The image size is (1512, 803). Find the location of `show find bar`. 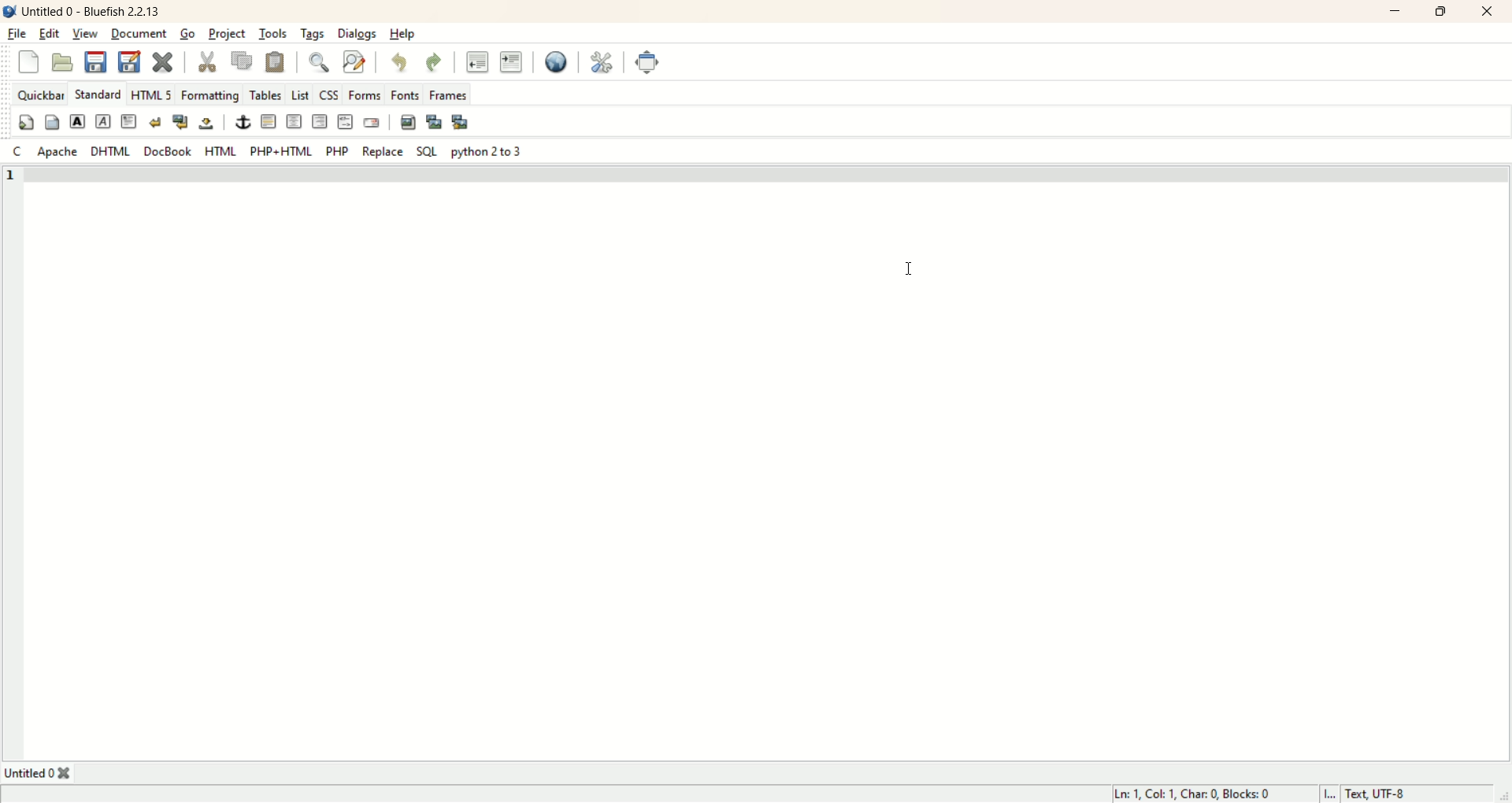

show find bar is located at coordinates (320, 64).